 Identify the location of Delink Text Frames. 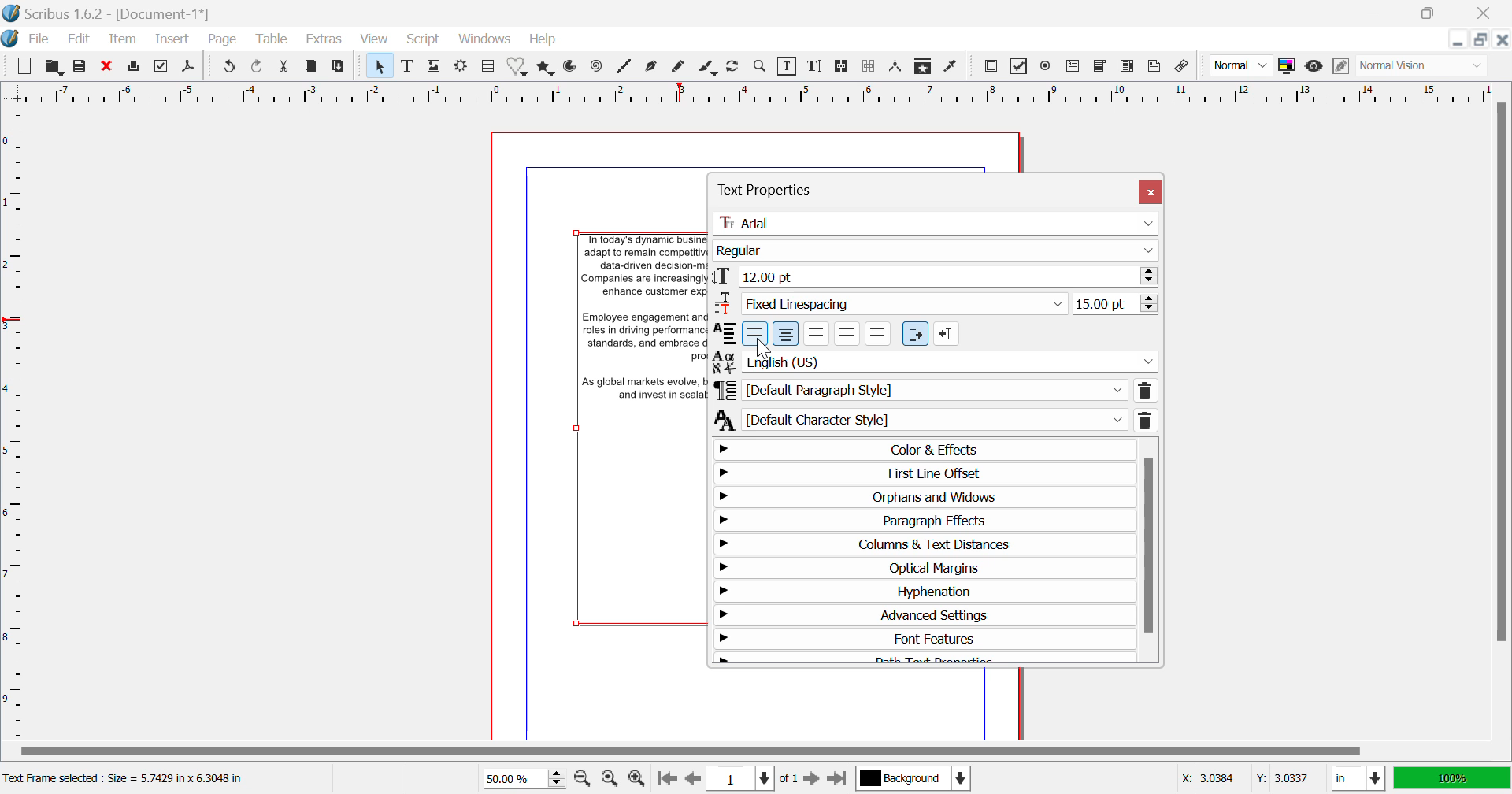
(870, 67).